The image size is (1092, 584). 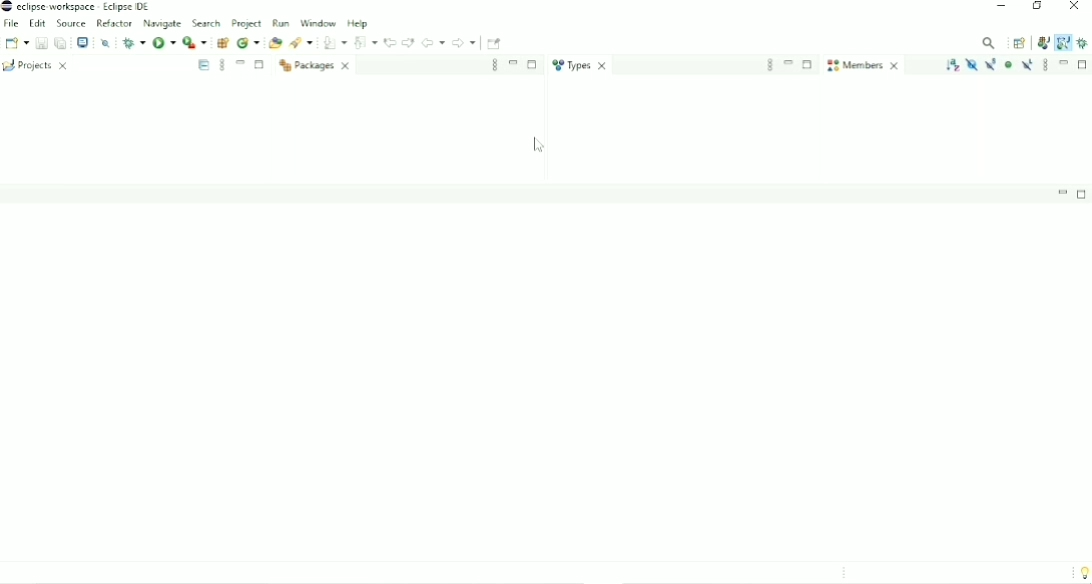 I want to click on Help, so click(x=361, y=23).